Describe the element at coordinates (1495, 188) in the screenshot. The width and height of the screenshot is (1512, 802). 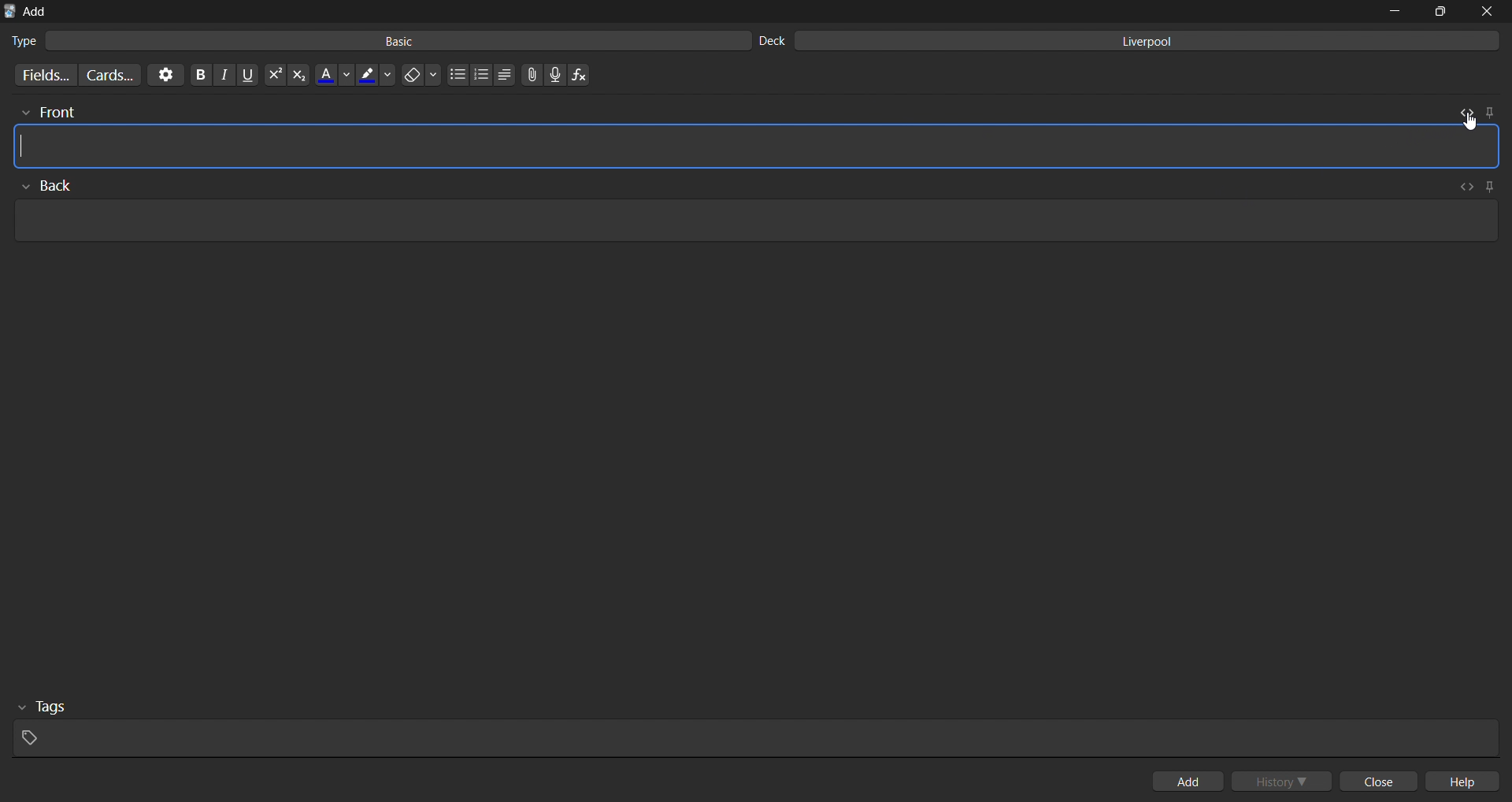
I see `pin` at that location.